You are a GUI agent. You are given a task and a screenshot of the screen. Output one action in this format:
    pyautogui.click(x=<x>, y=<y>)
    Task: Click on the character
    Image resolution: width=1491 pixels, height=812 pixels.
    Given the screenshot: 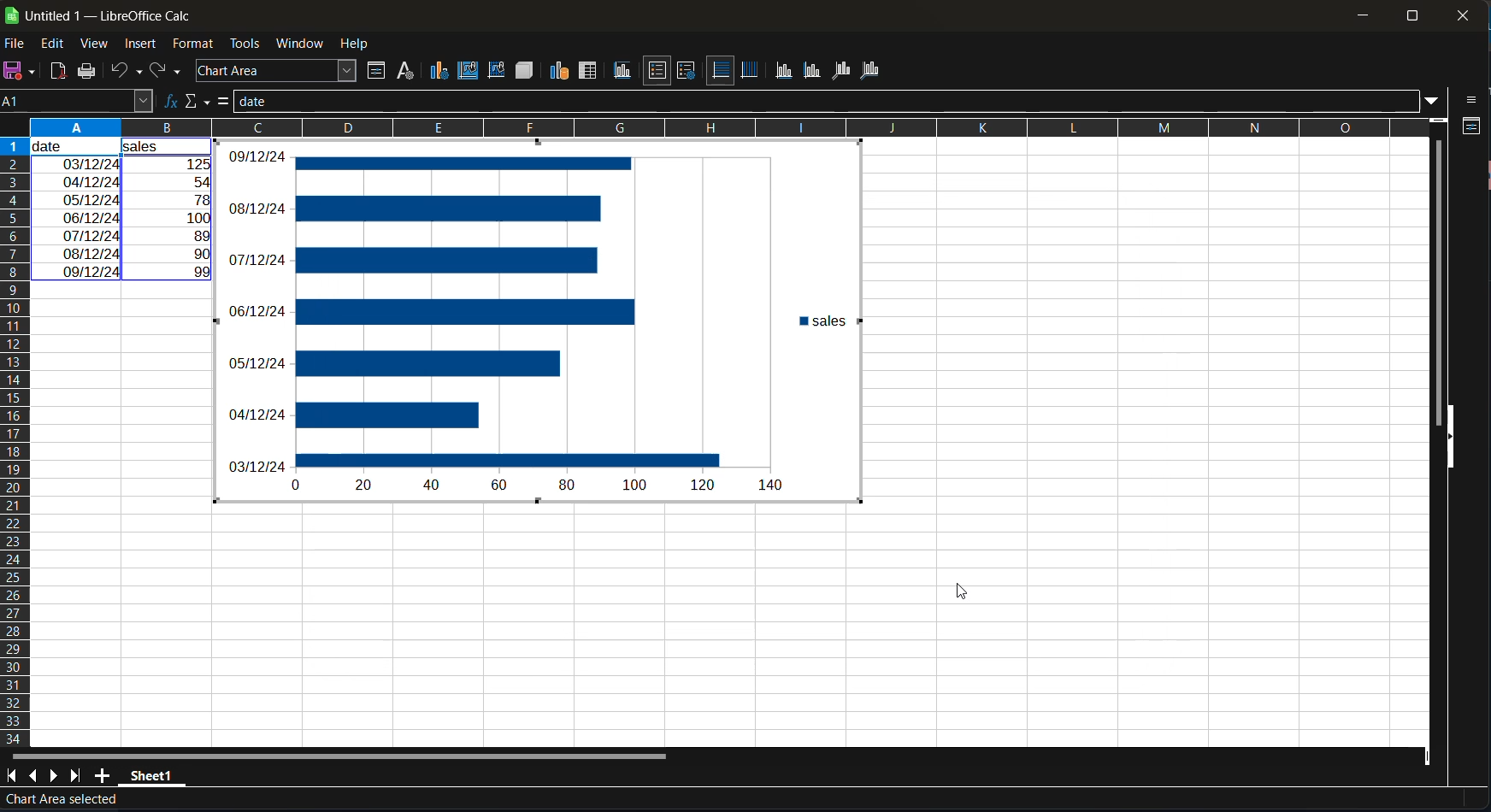 What is the action you would take?
    pyautogui.click(x=404, y=71)
    